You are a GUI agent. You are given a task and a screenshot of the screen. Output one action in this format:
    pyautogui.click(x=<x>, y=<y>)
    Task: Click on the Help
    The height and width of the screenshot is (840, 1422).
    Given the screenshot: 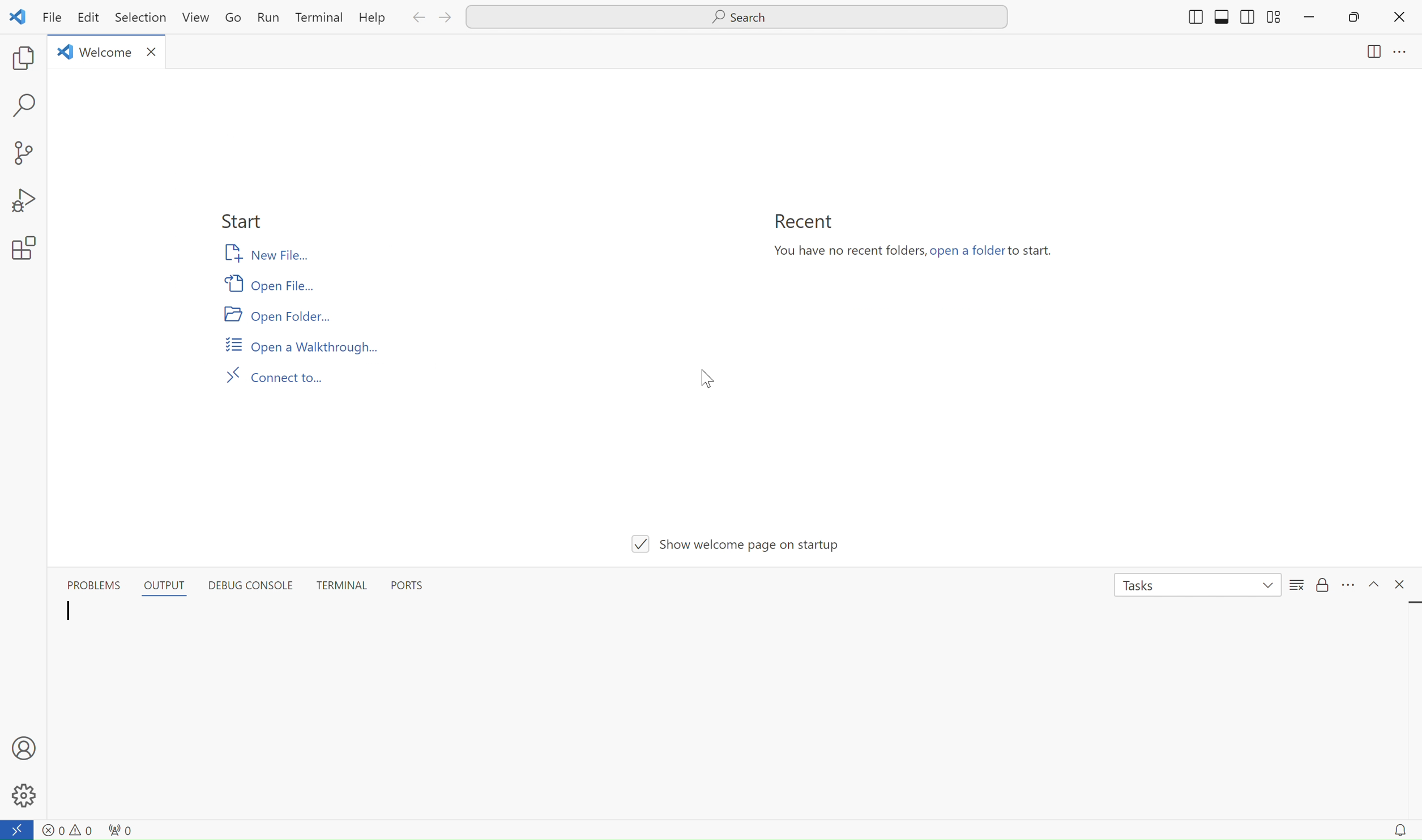 What is the action you would take?
    pyautogui.click(x=370, y=20)
    